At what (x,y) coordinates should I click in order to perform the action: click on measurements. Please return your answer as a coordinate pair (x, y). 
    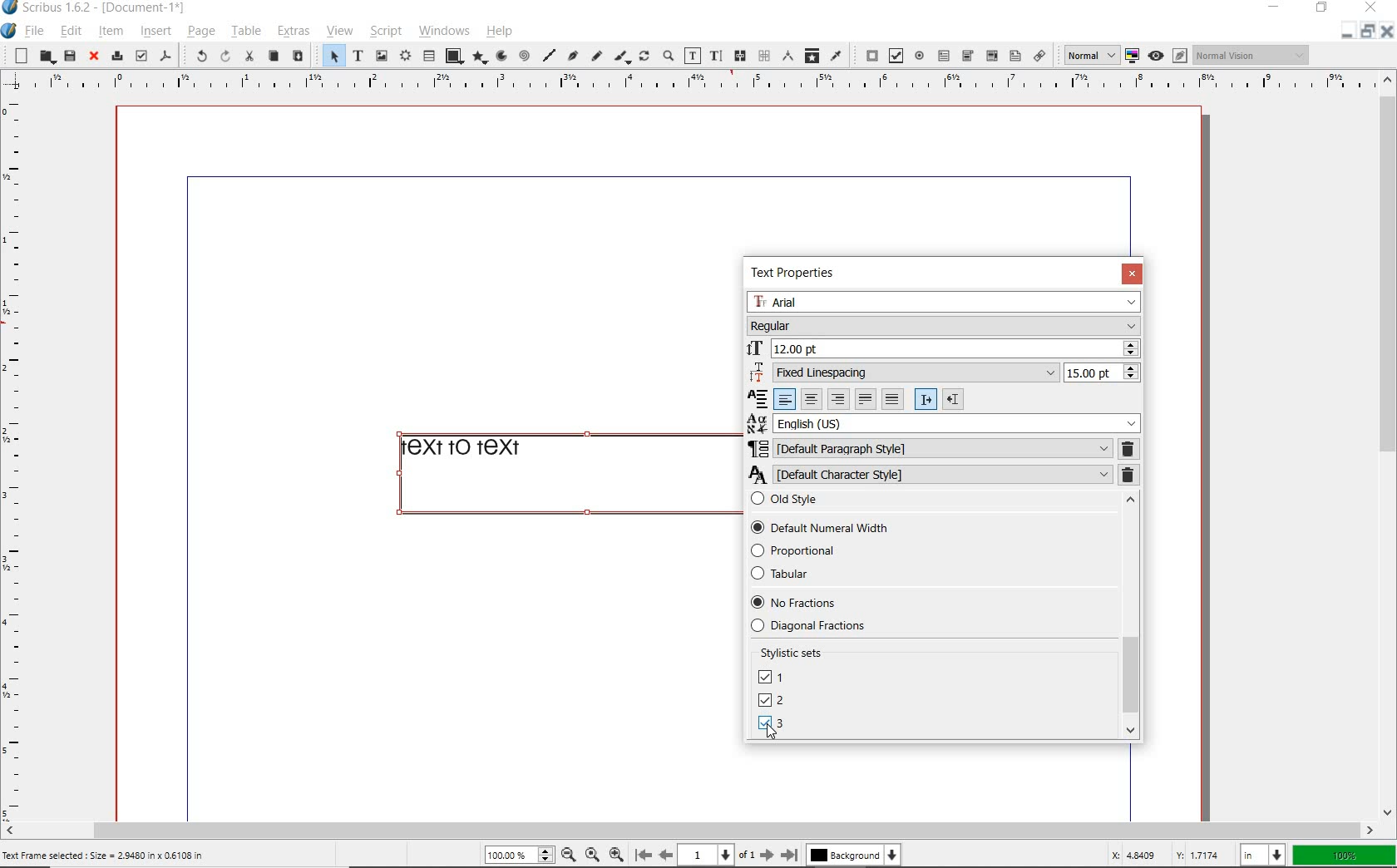
    Looking at the image, I should click on (787, 57).